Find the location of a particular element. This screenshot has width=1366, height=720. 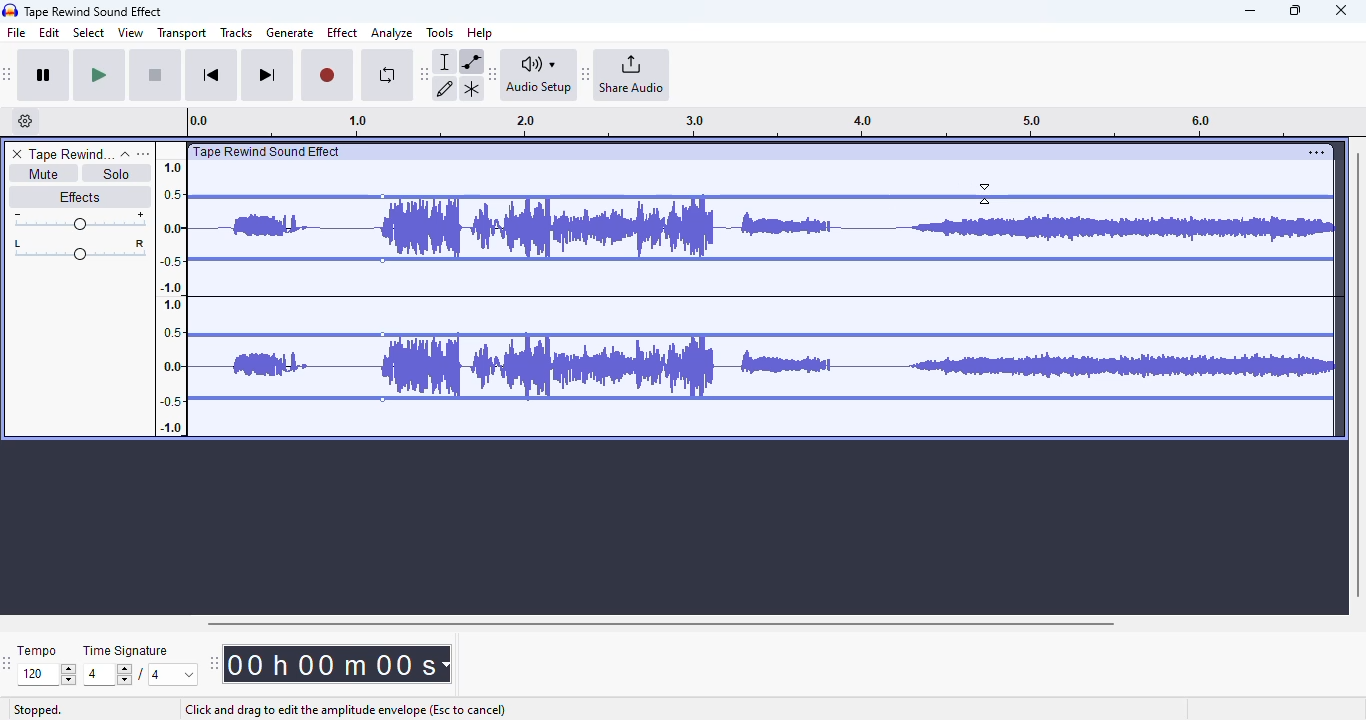

time signature is located at coordinates (126, 651).